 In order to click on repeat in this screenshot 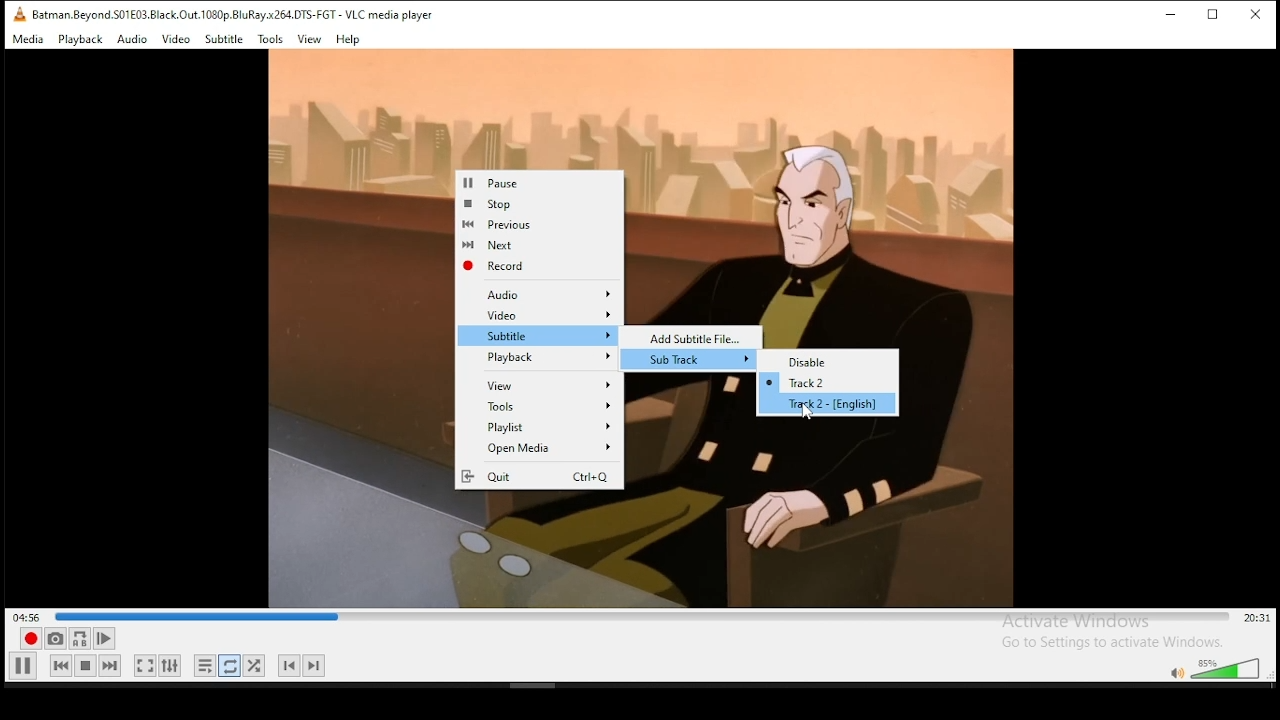, I will do `click(231, 668)`.